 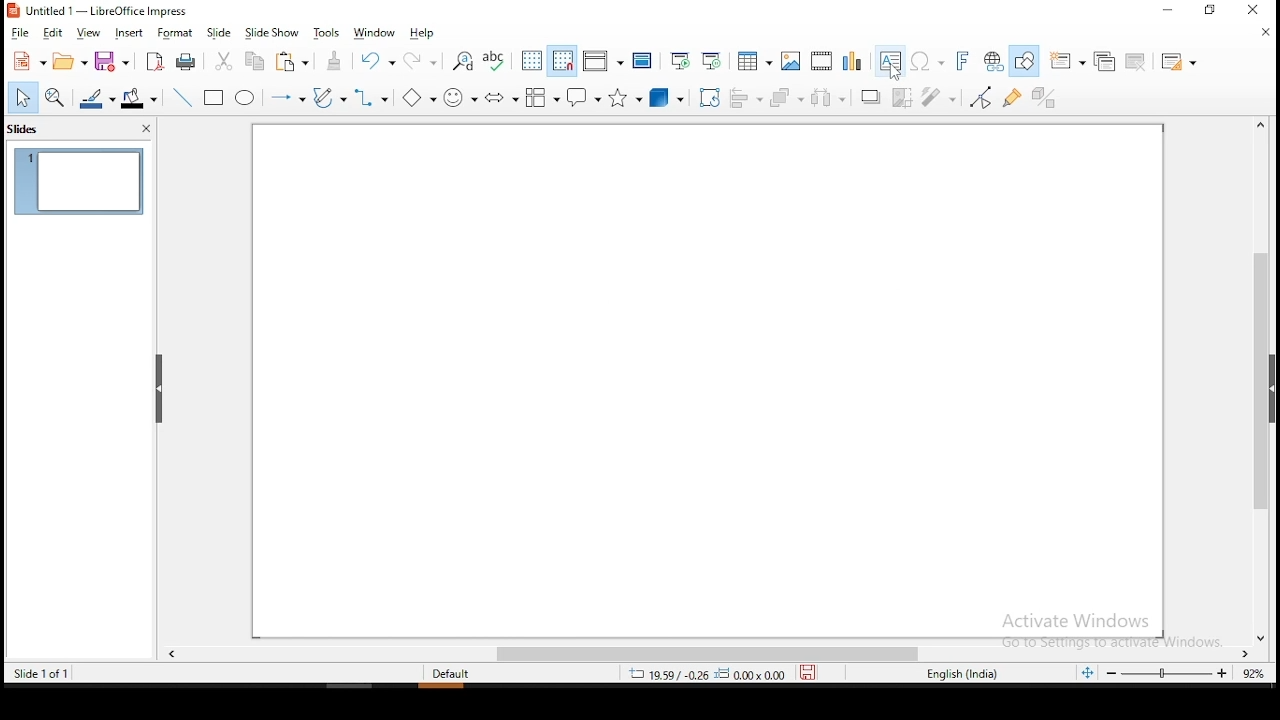 What do you see at coordinates (821, 61) in the screenshot?
I see `insert audio or video` at bounding box center [821, 61].